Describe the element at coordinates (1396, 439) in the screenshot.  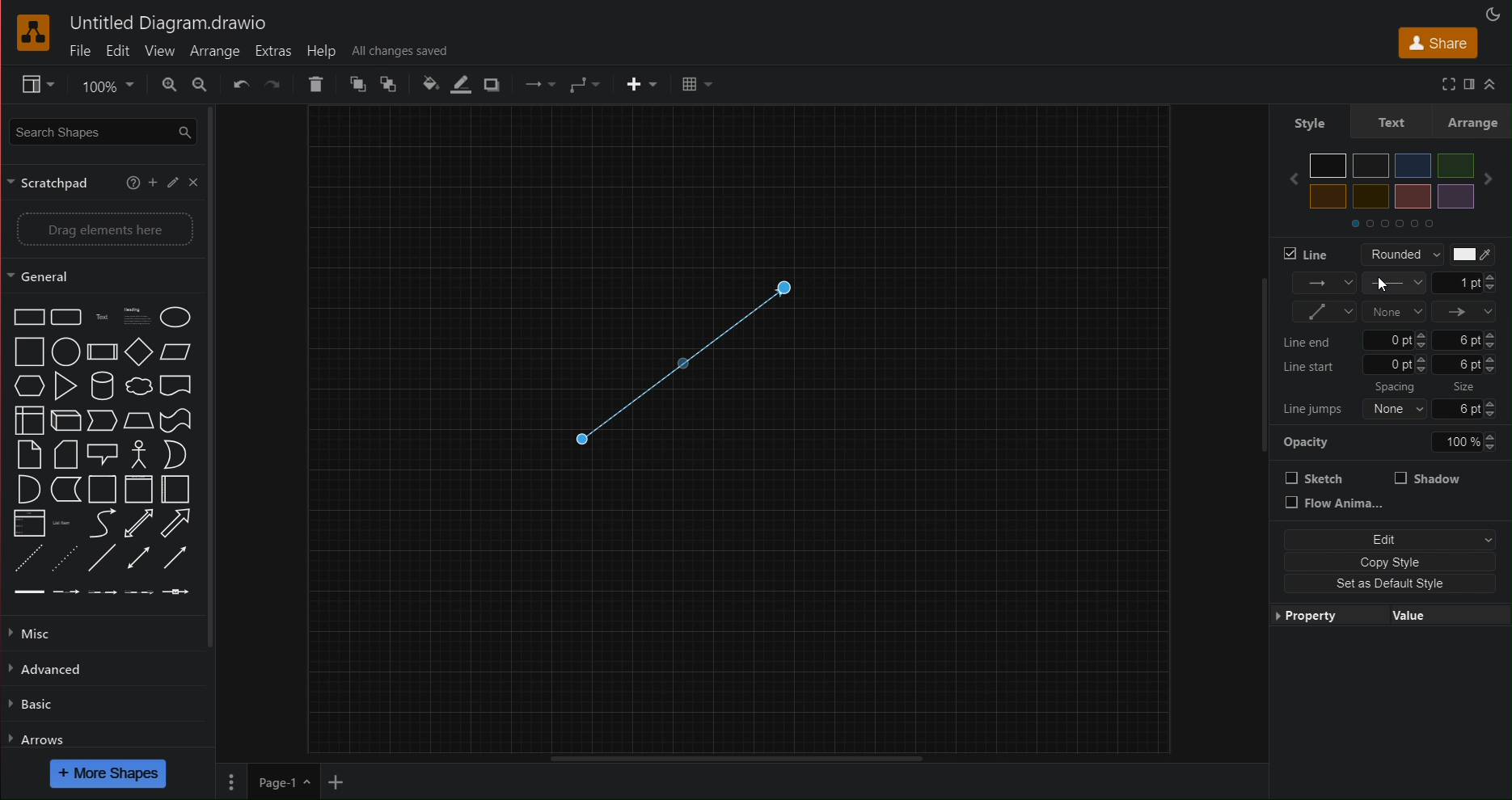
I see `Opacity` at that location.